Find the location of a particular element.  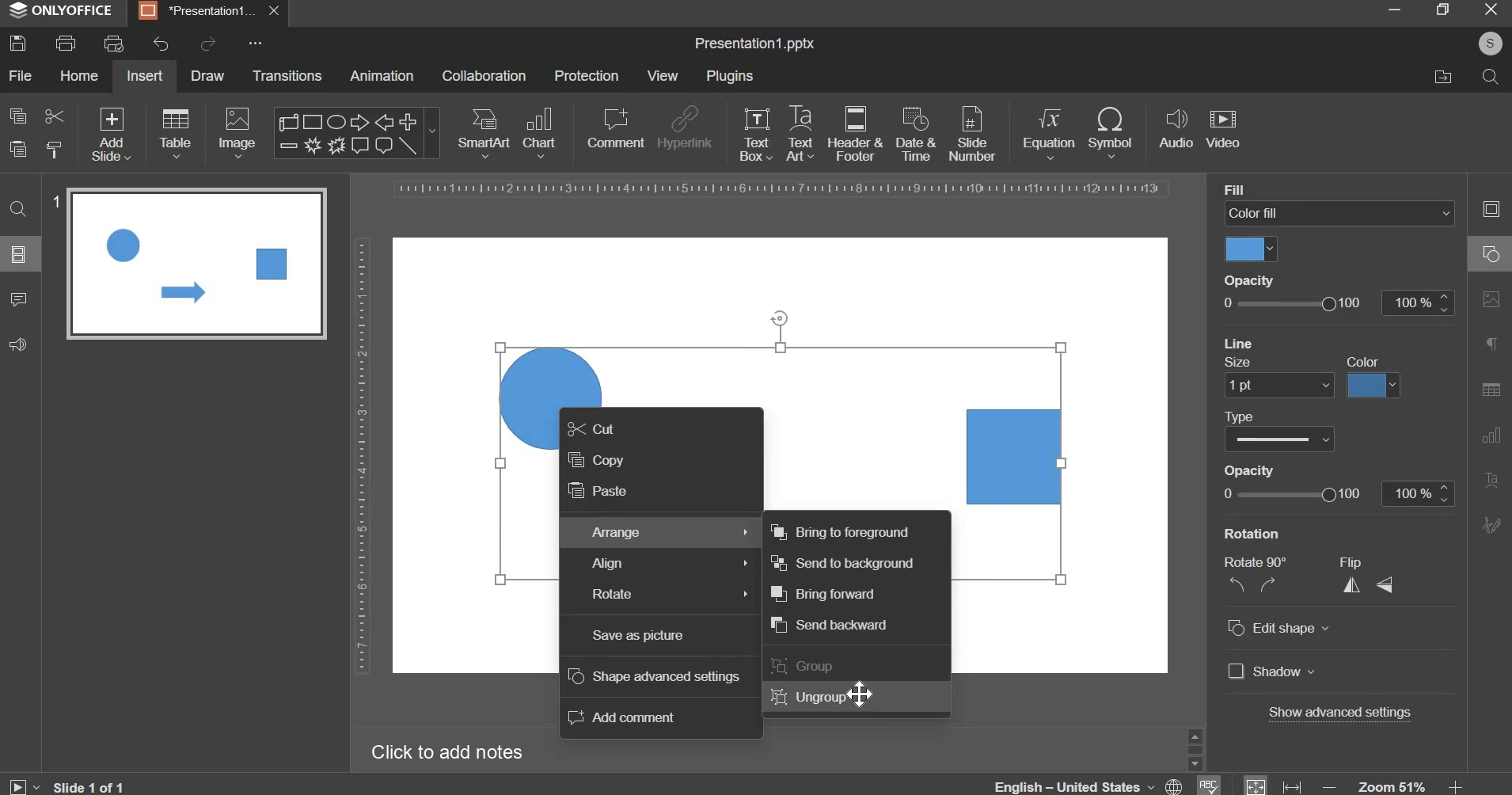

* ONLYOFFICE is located at coordinates (62, 10).